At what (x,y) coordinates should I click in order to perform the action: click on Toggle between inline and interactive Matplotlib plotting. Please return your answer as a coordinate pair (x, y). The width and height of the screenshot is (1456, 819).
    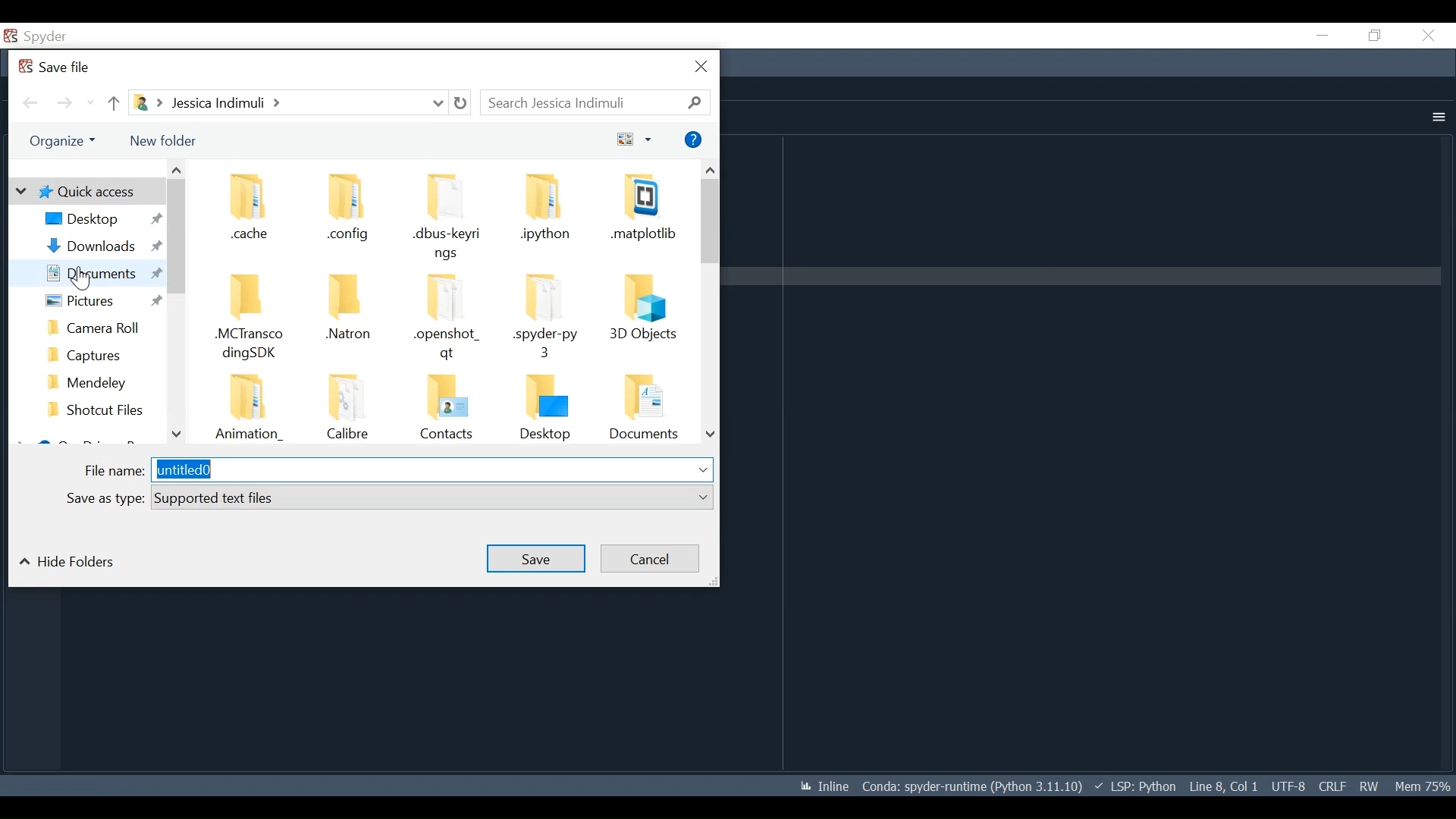
    Looking at the image, I should click on (821, 786).